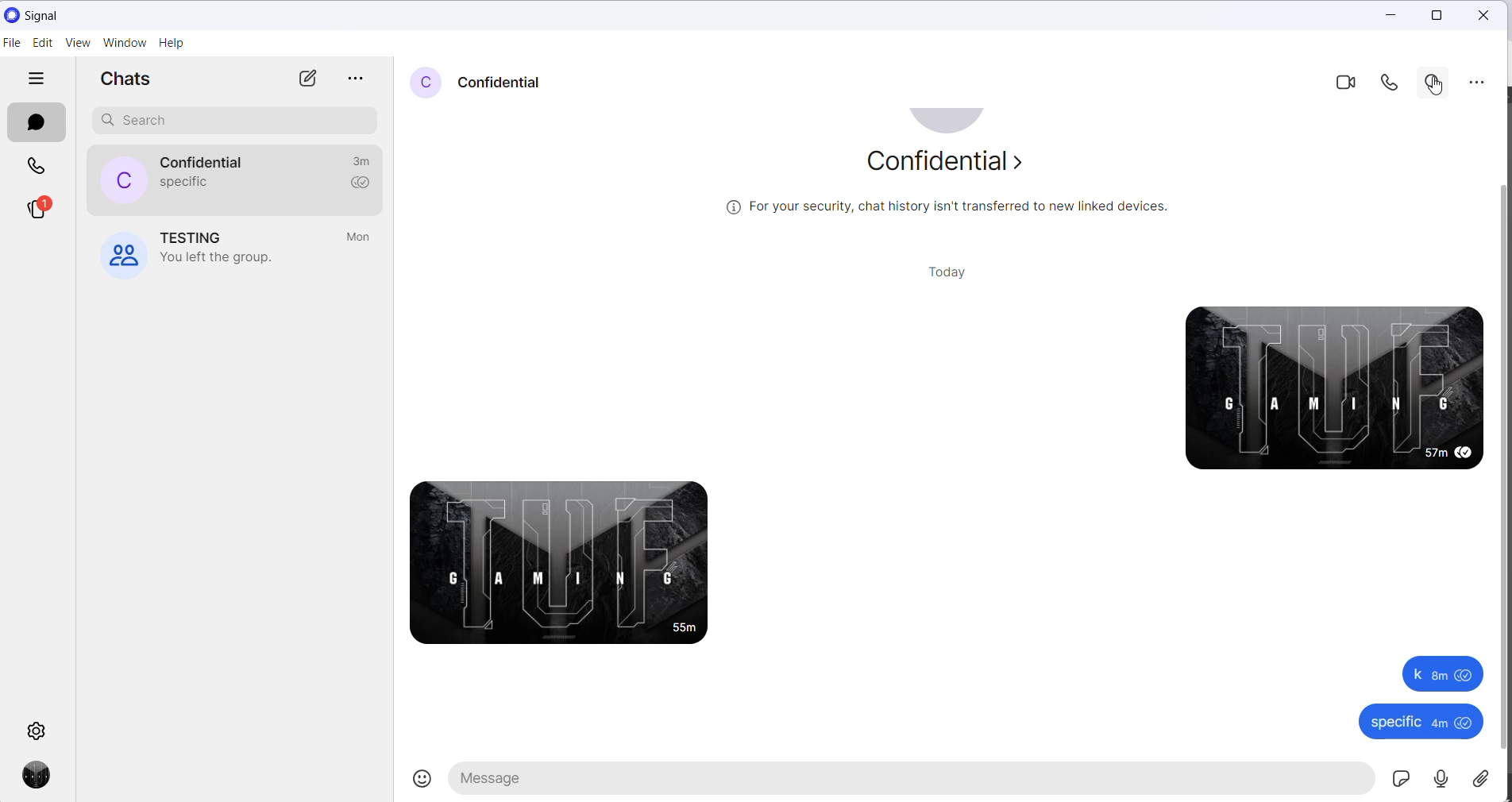 Image resolution: width=1512 pixels, height=802 pixels. I want to click on hide tabs, so click(36, 77).